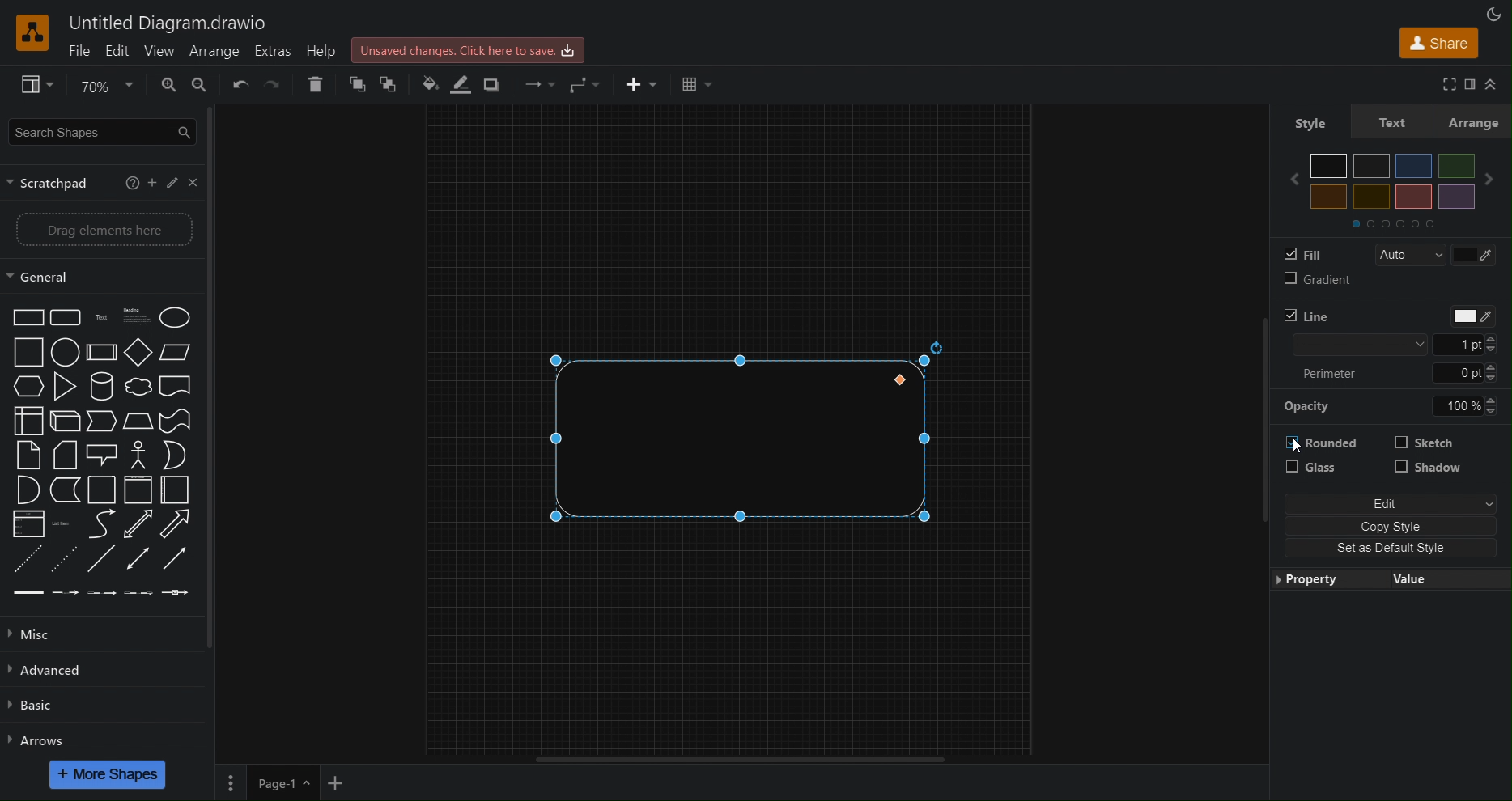  I want to click on Line Color, so click(1470, 315).